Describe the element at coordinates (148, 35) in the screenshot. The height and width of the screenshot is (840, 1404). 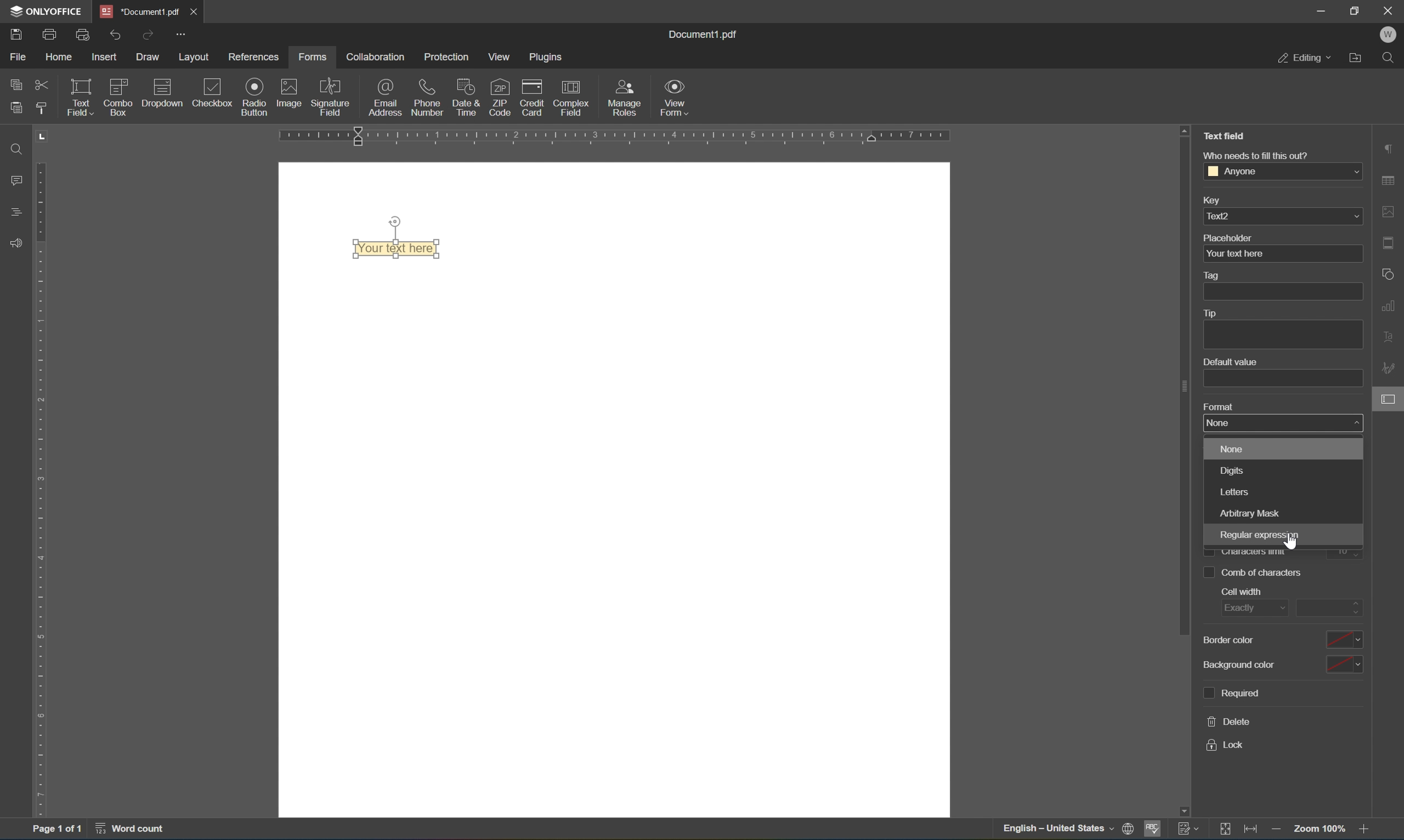
I see `redo` at that location.